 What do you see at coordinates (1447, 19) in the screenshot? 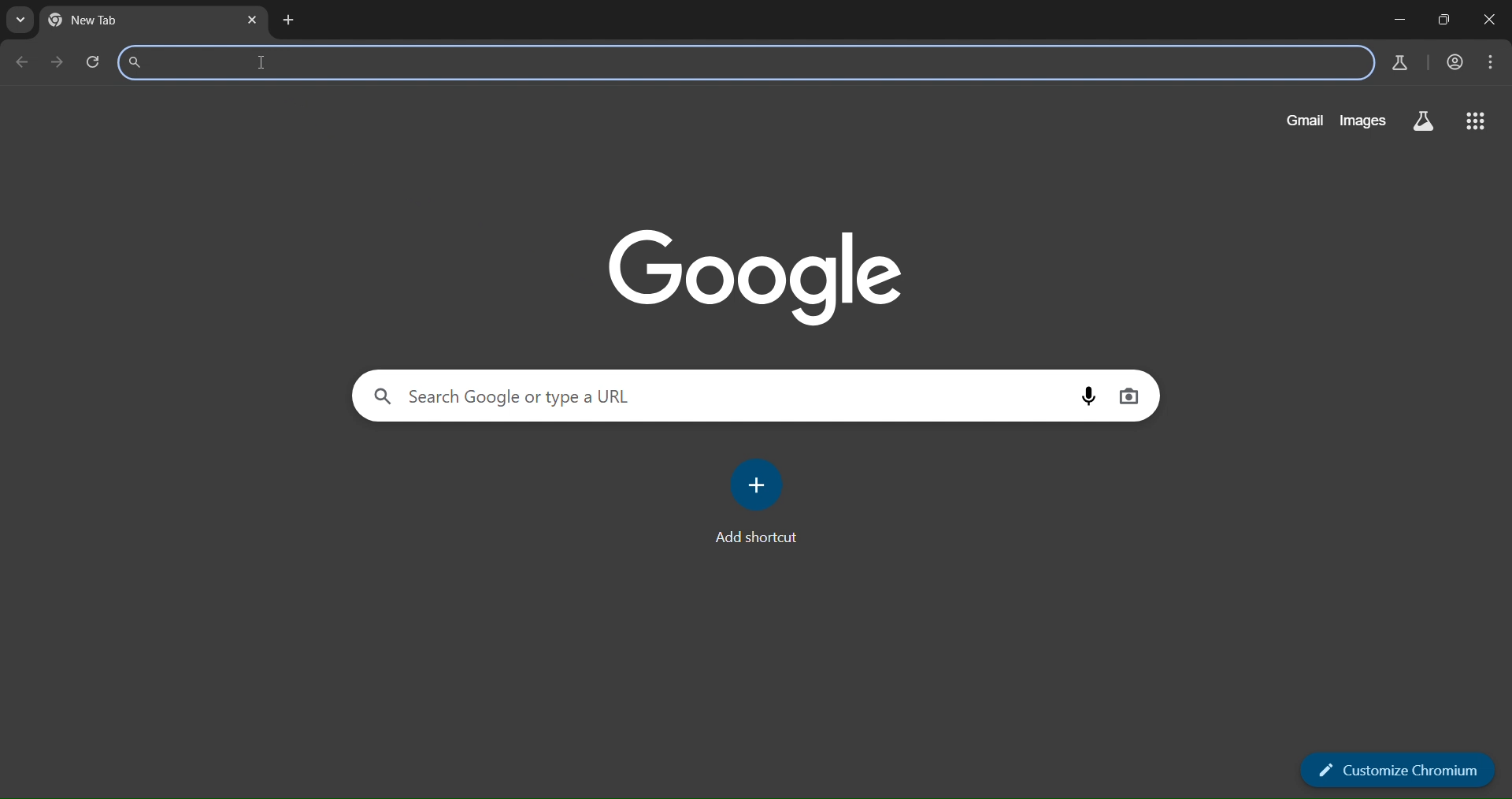
I see `Maximize` at bounding box center [1447, 19].